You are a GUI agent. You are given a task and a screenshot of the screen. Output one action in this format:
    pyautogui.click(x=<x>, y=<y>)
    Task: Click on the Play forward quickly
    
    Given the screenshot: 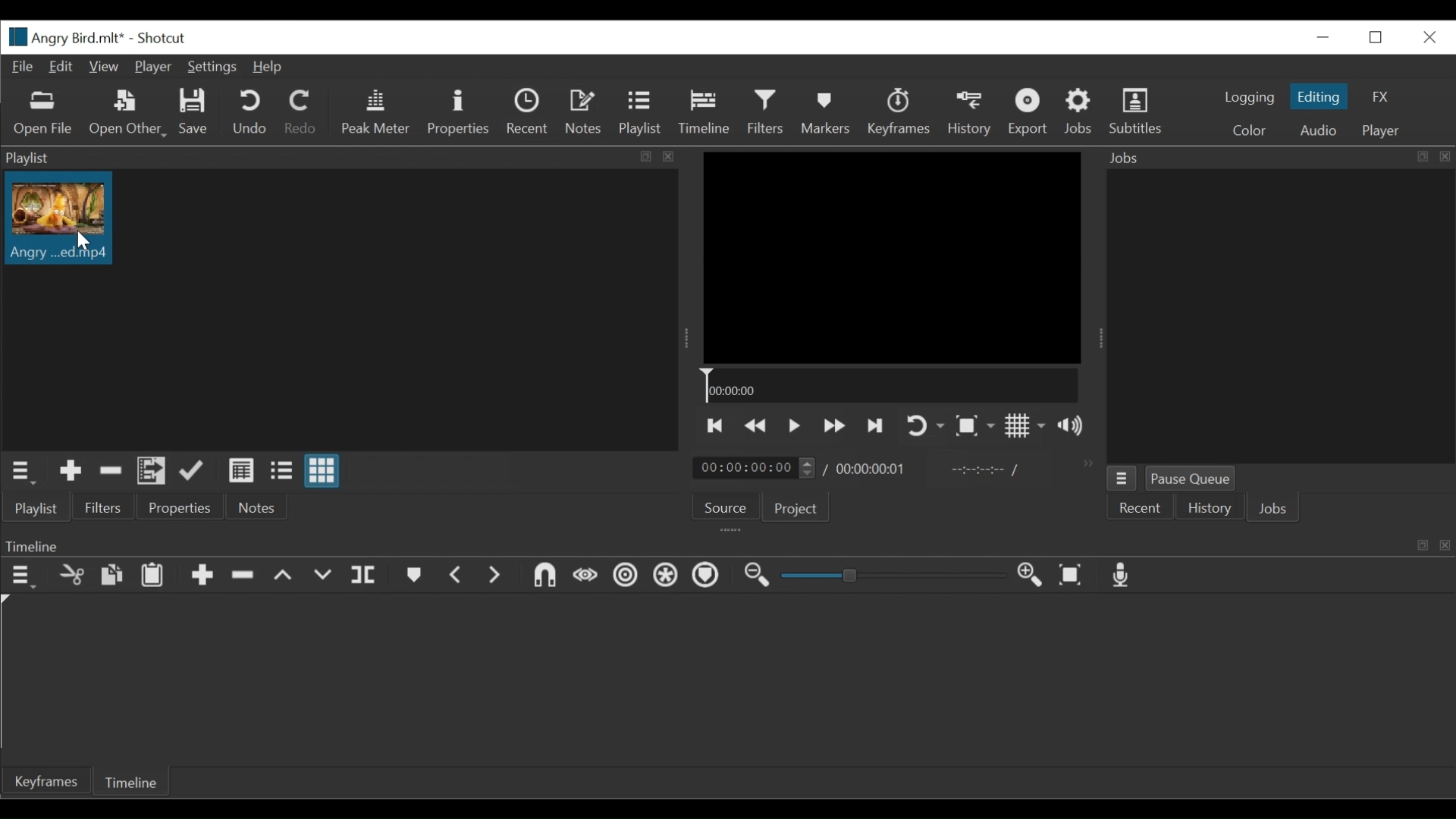 What is the action you would take?
    pyautogui.click(x=835, y=425)
    